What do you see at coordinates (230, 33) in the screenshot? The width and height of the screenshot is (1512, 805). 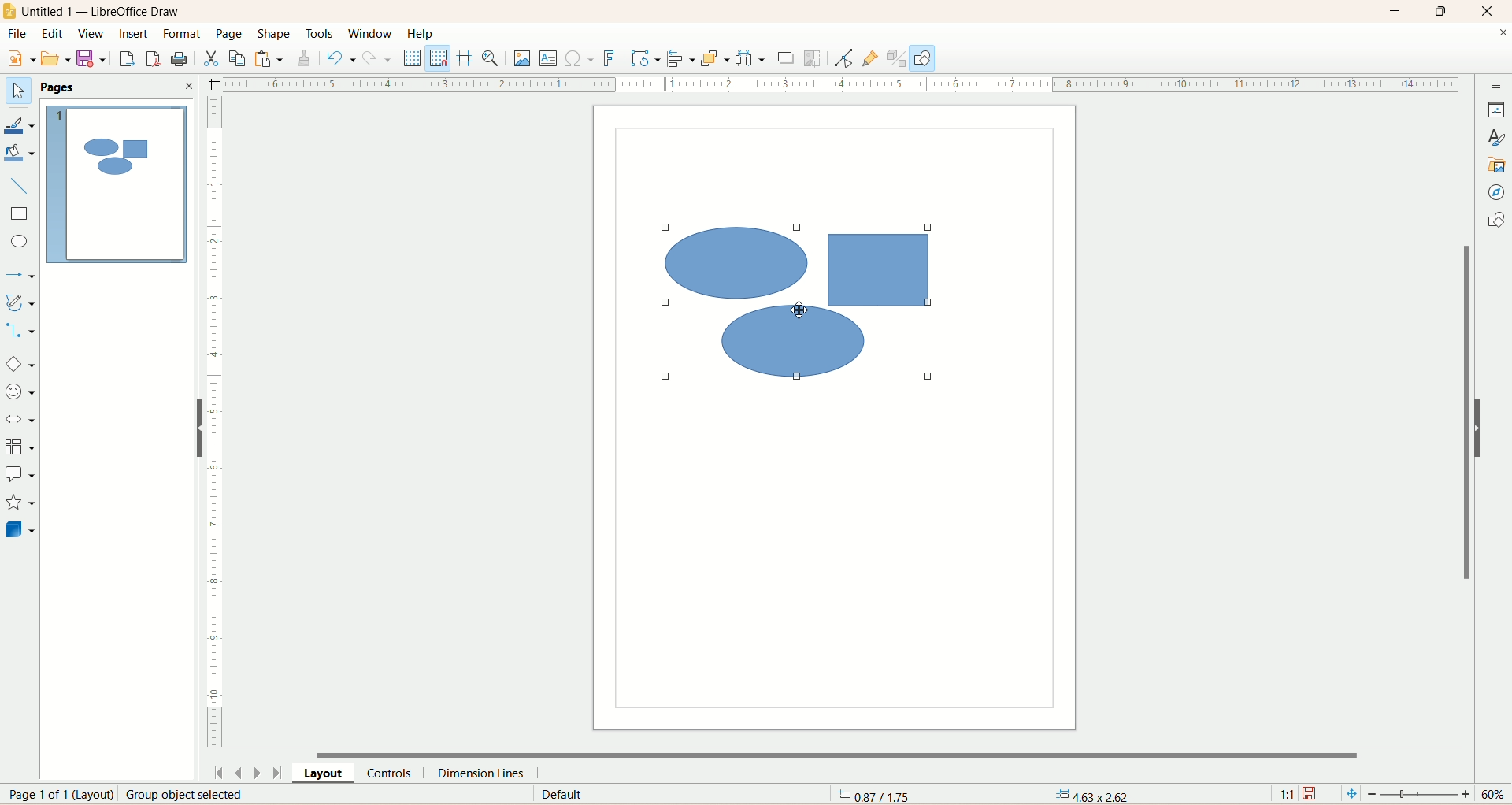 I see `page` at bounding box center [230, 33].